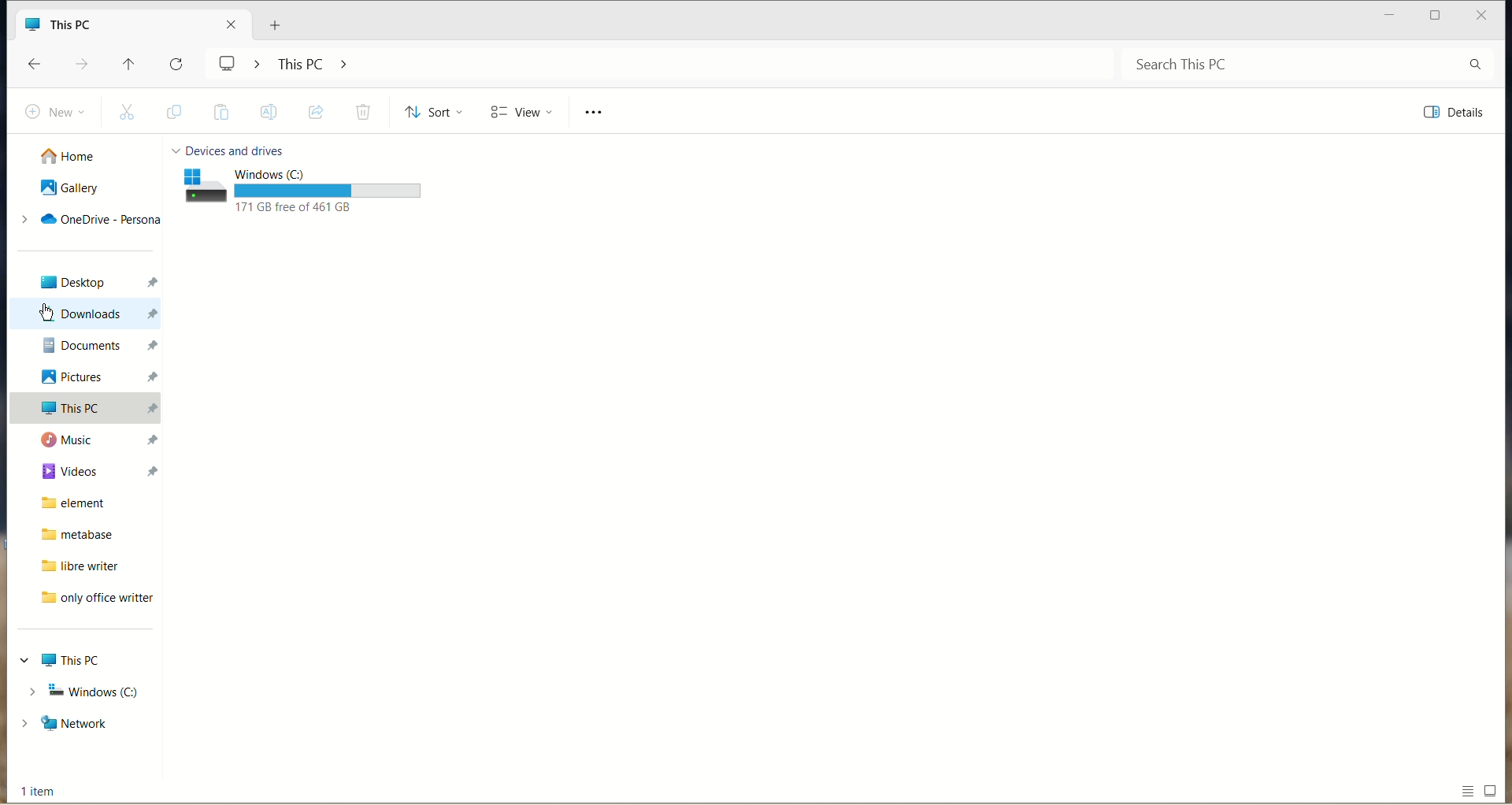 This screenshot has height=805, width=1512. I want to click on sort, so click(432, 114).